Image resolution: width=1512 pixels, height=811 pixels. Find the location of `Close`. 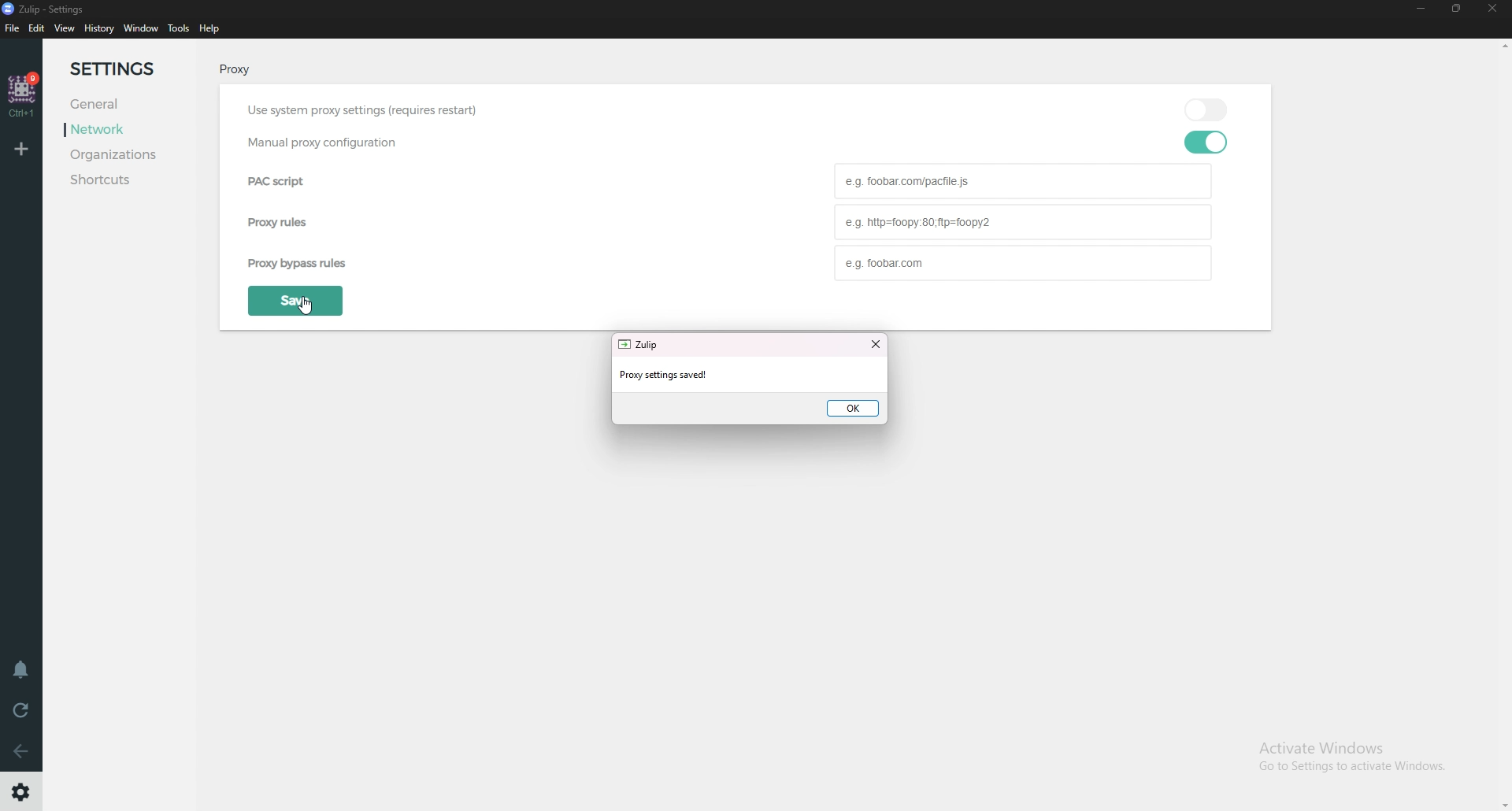

Close is located at coordinates (1495, 13).